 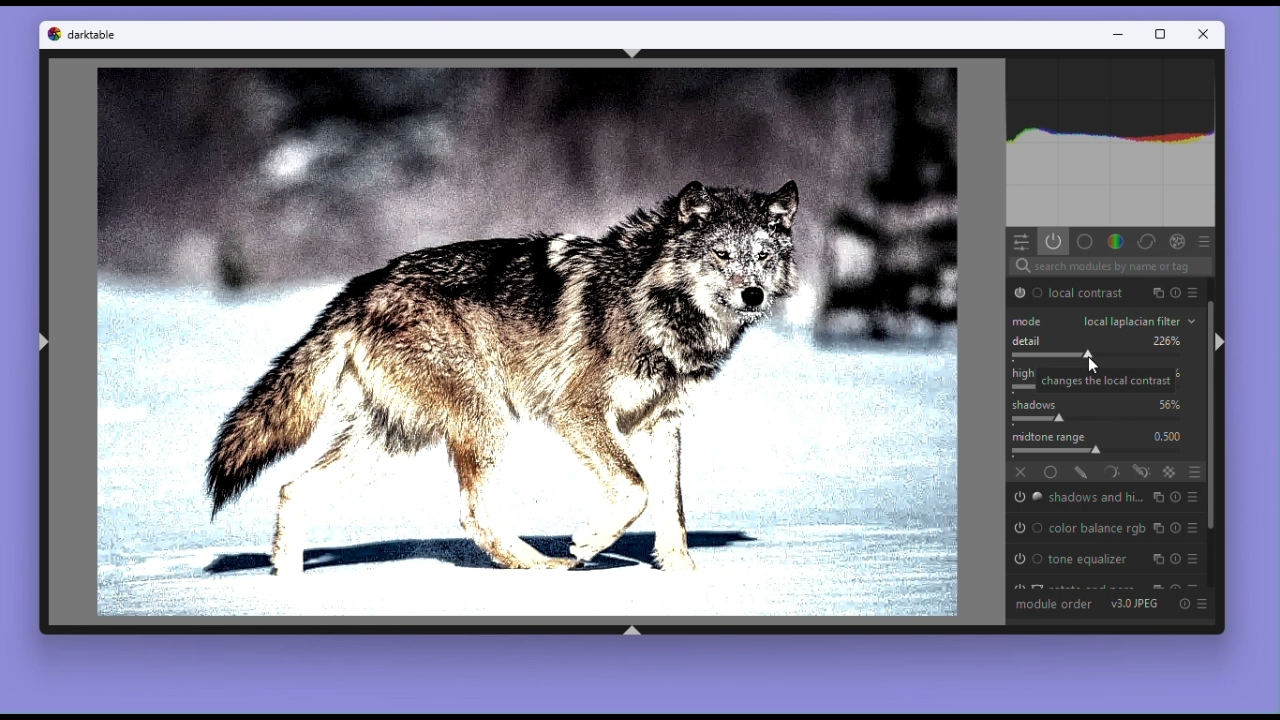 What do you see at coordinates (1201, 601) in the screenshot?
I see `Present` at bounding box center [1201, 601].